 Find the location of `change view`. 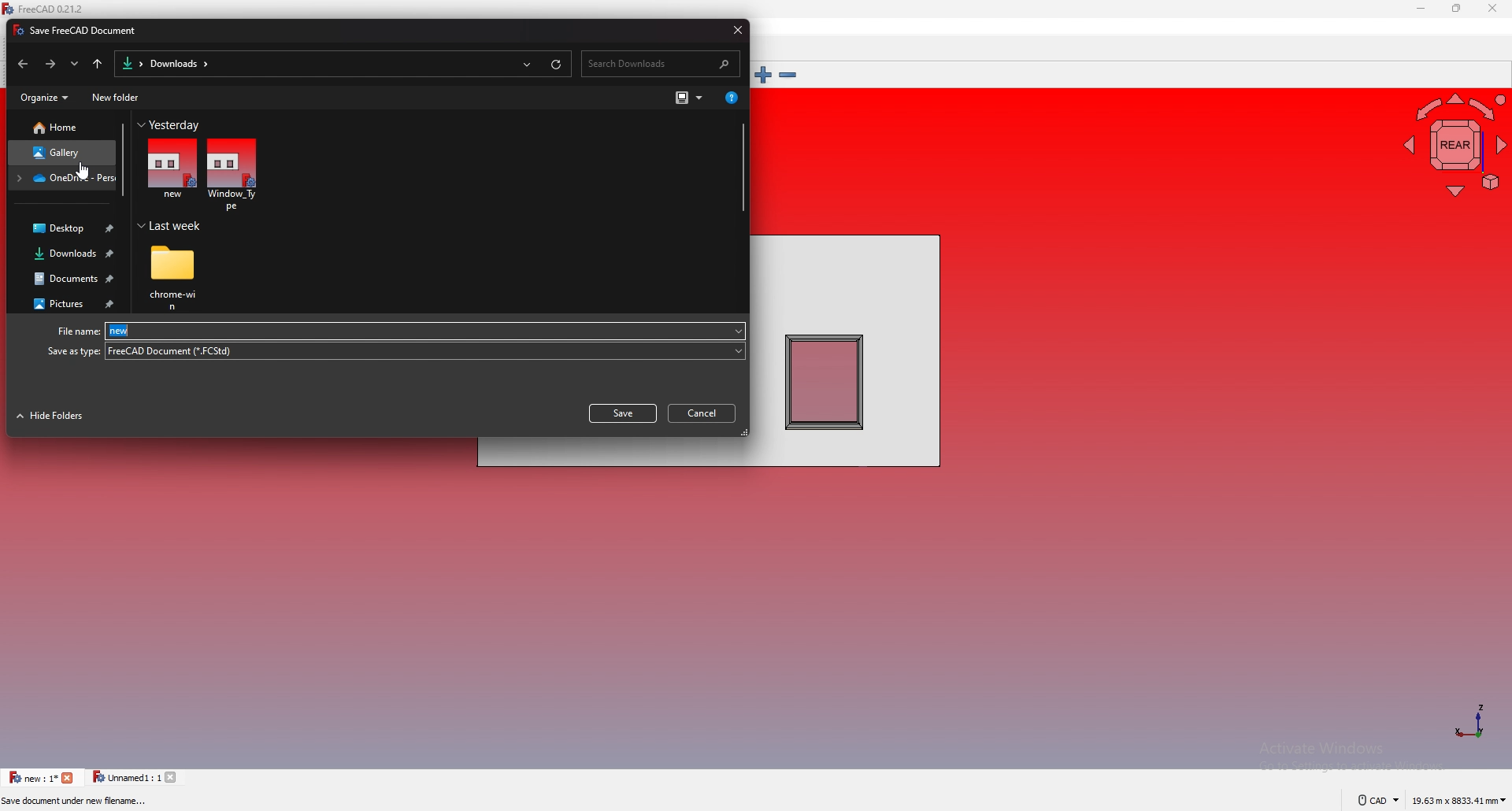

change view is located at coordinates (687, 97).